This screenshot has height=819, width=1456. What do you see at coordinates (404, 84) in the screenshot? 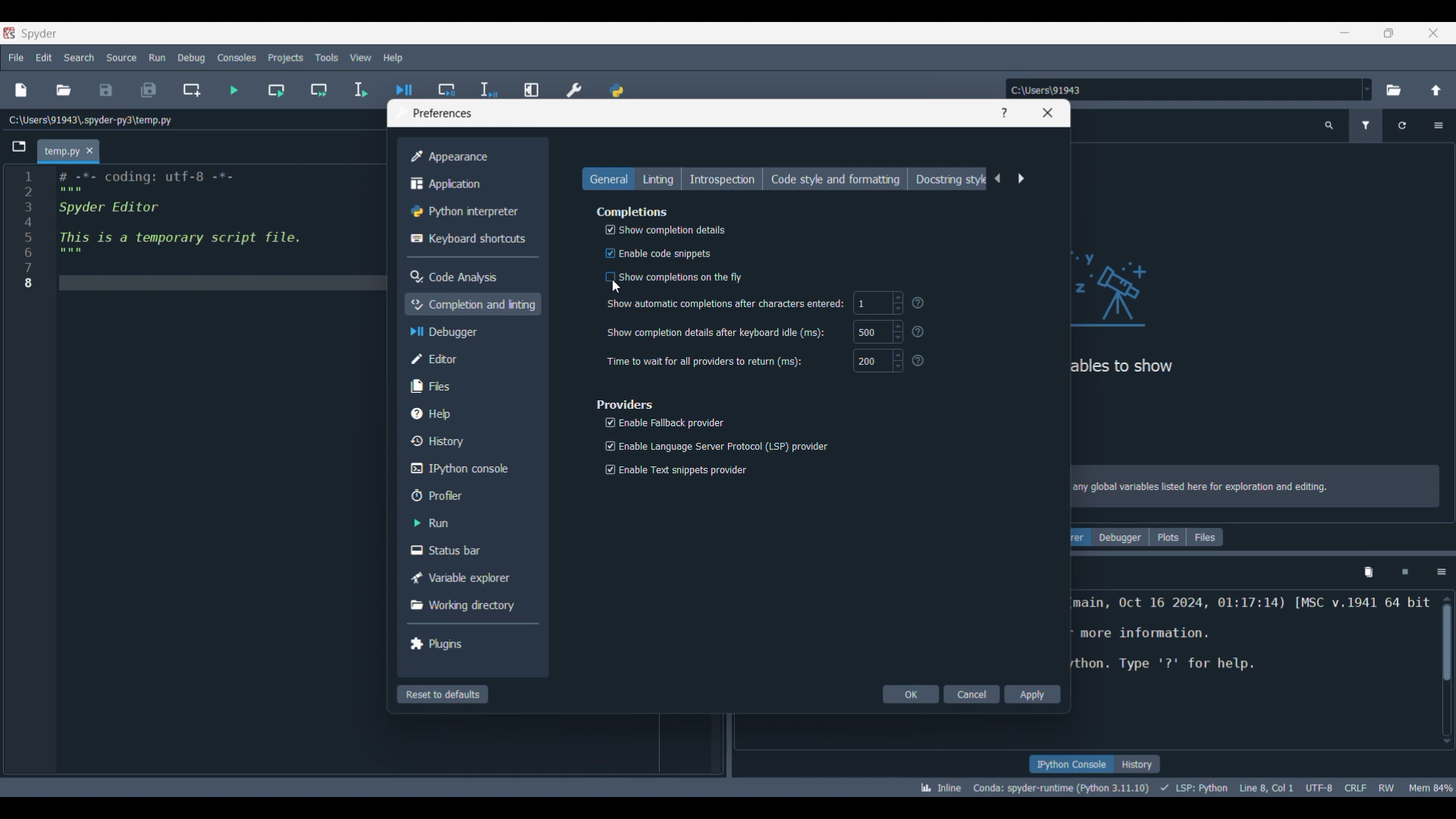
I see `Debug file` at bounding box center [404, 84].